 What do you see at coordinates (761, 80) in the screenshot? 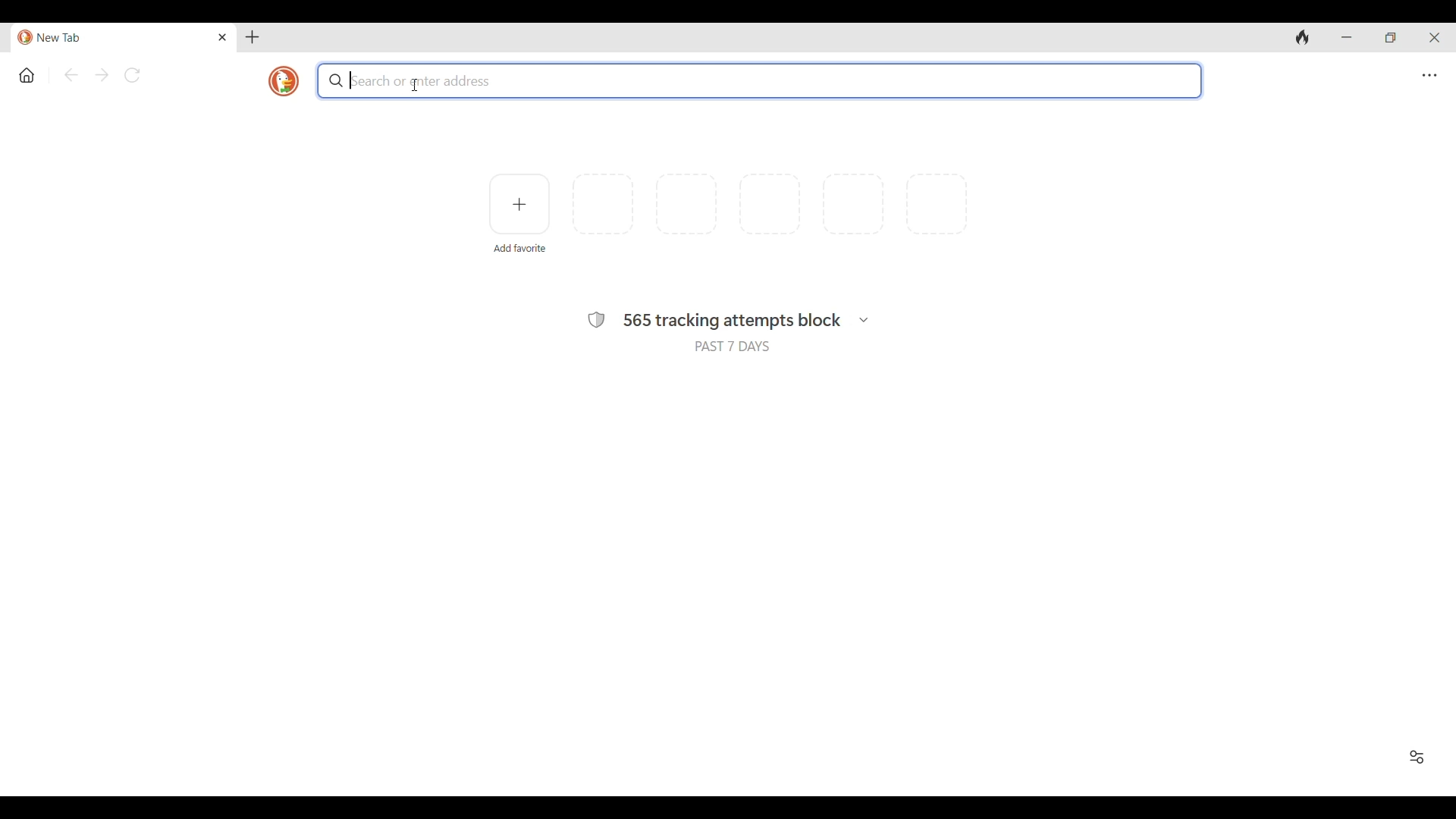
I see `Search box` at bounding box center [761, 80].